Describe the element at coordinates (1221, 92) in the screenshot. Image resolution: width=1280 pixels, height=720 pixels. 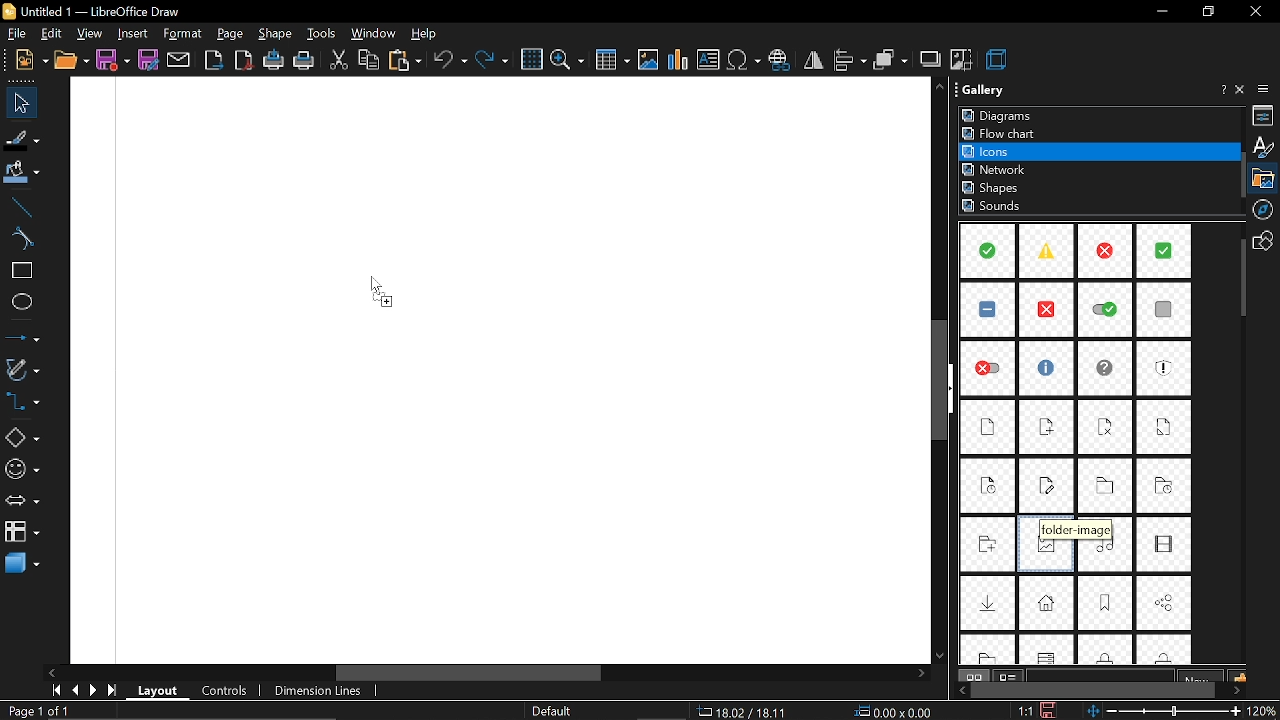
I see `help` at that location.